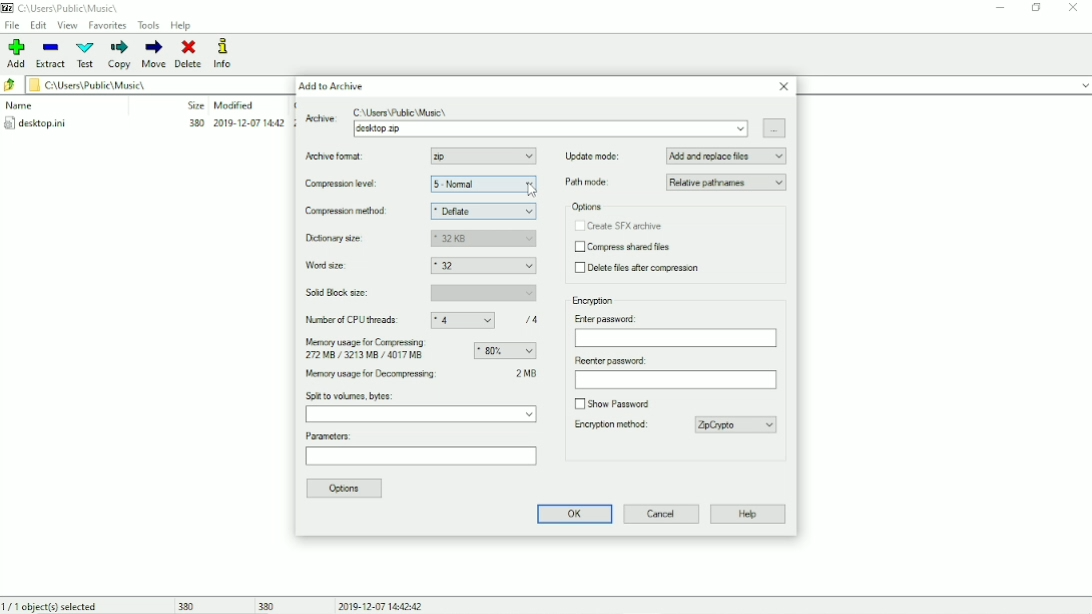  I want to click on Memory usage for Decompressing, so click(402, 376).